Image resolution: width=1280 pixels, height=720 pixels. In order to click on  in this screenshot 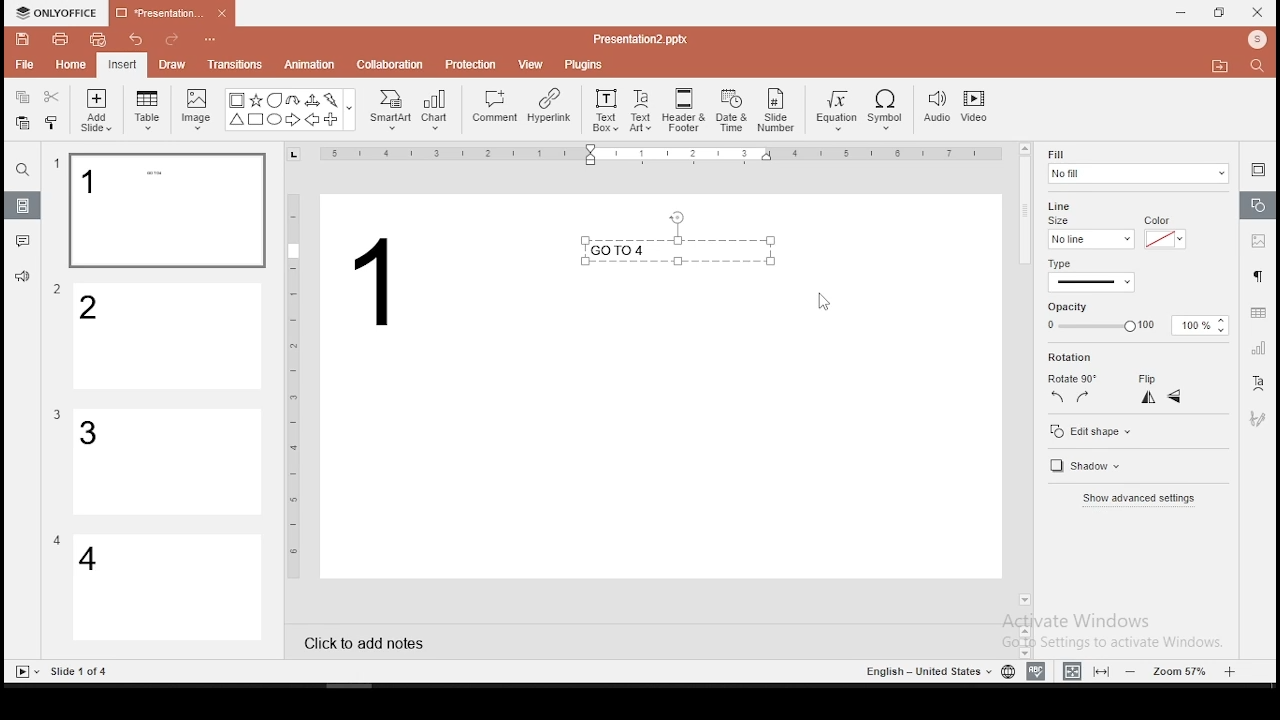, I will do `click(58, 290)`.